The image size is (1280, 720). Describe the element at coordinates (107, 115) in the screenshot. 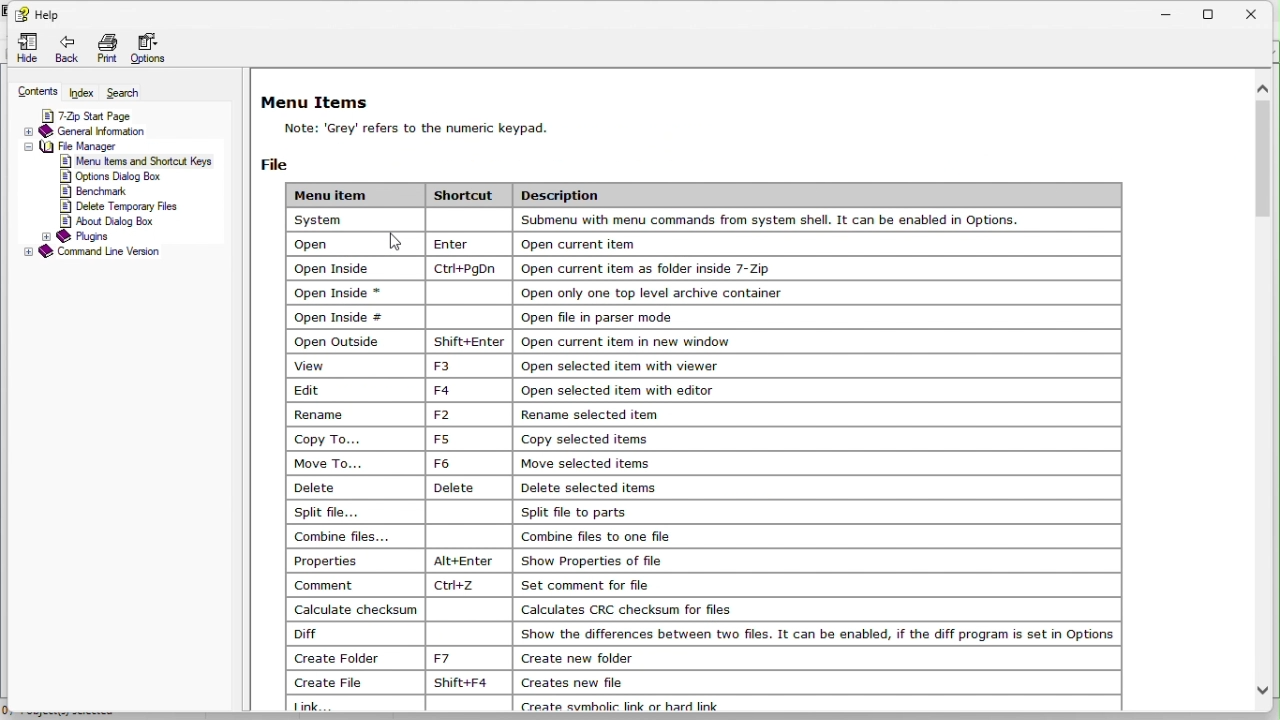

I see `7 zip start page` at that location.